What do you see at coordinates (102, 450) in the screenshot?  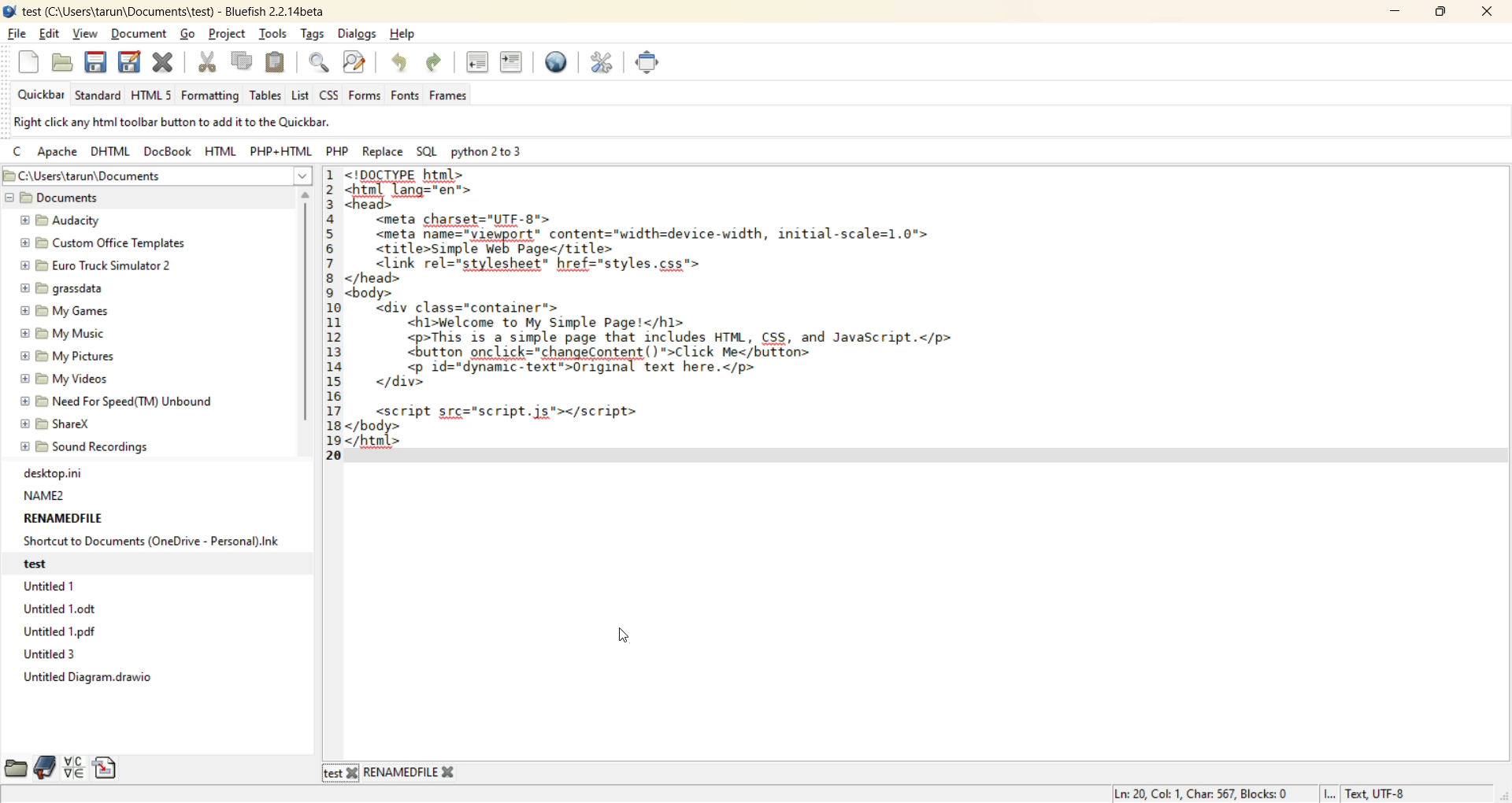 I see `sound recordings` at bounding box center [102, 450].